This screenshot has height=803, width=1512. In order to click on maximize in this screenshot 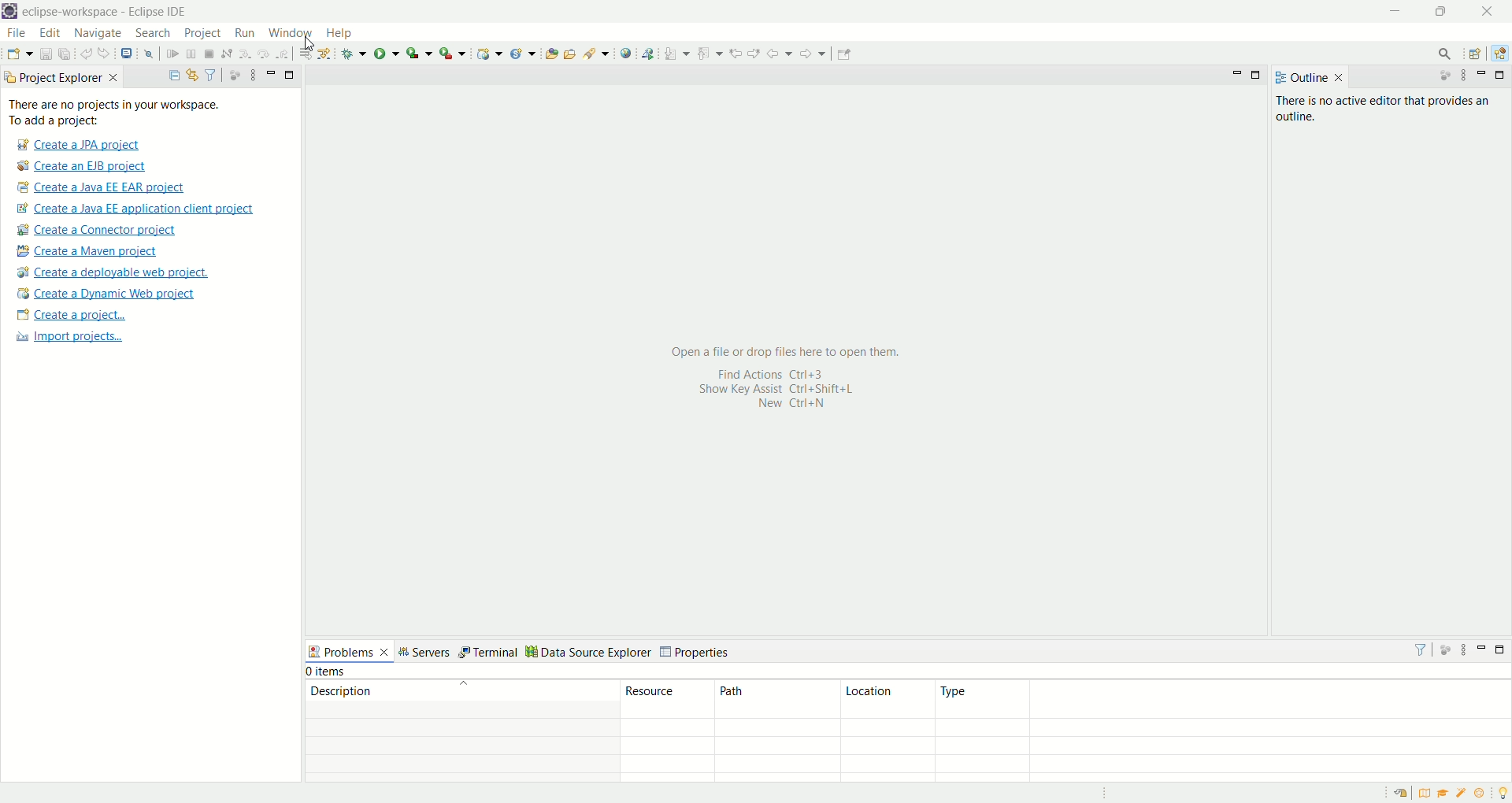, I will do `click(290, 73)`.